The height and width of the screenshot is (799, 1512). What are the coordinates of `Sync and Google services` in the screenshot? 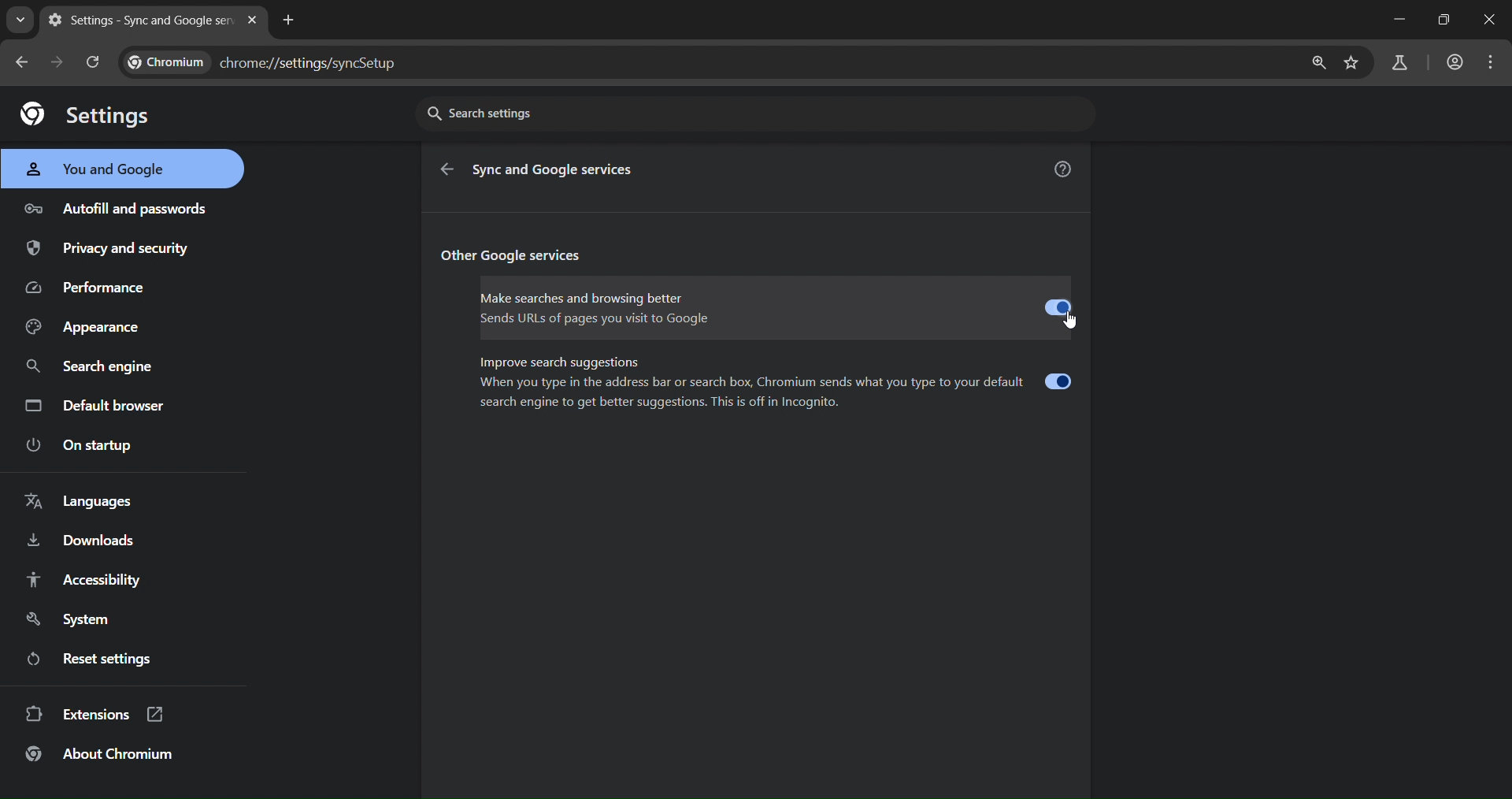 It's located at (559, 169).